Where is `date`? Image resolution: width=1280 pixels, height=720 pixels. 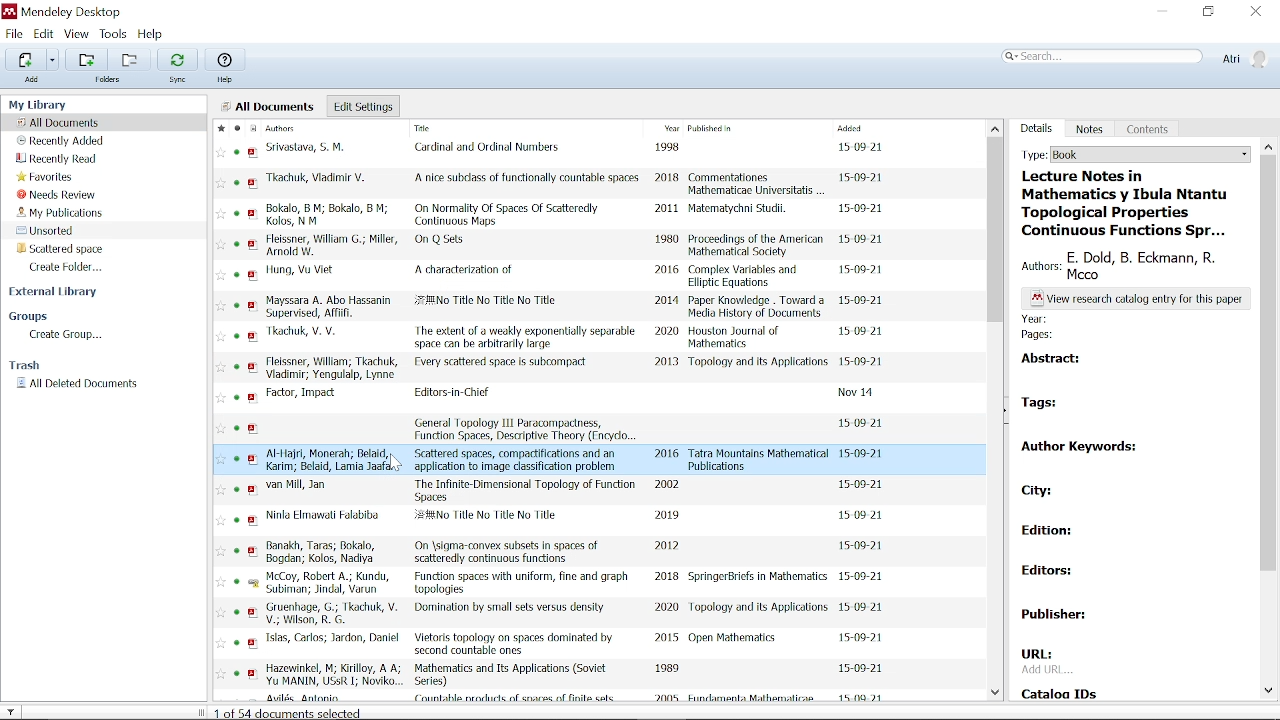 date is located at coordinates (862, 454).